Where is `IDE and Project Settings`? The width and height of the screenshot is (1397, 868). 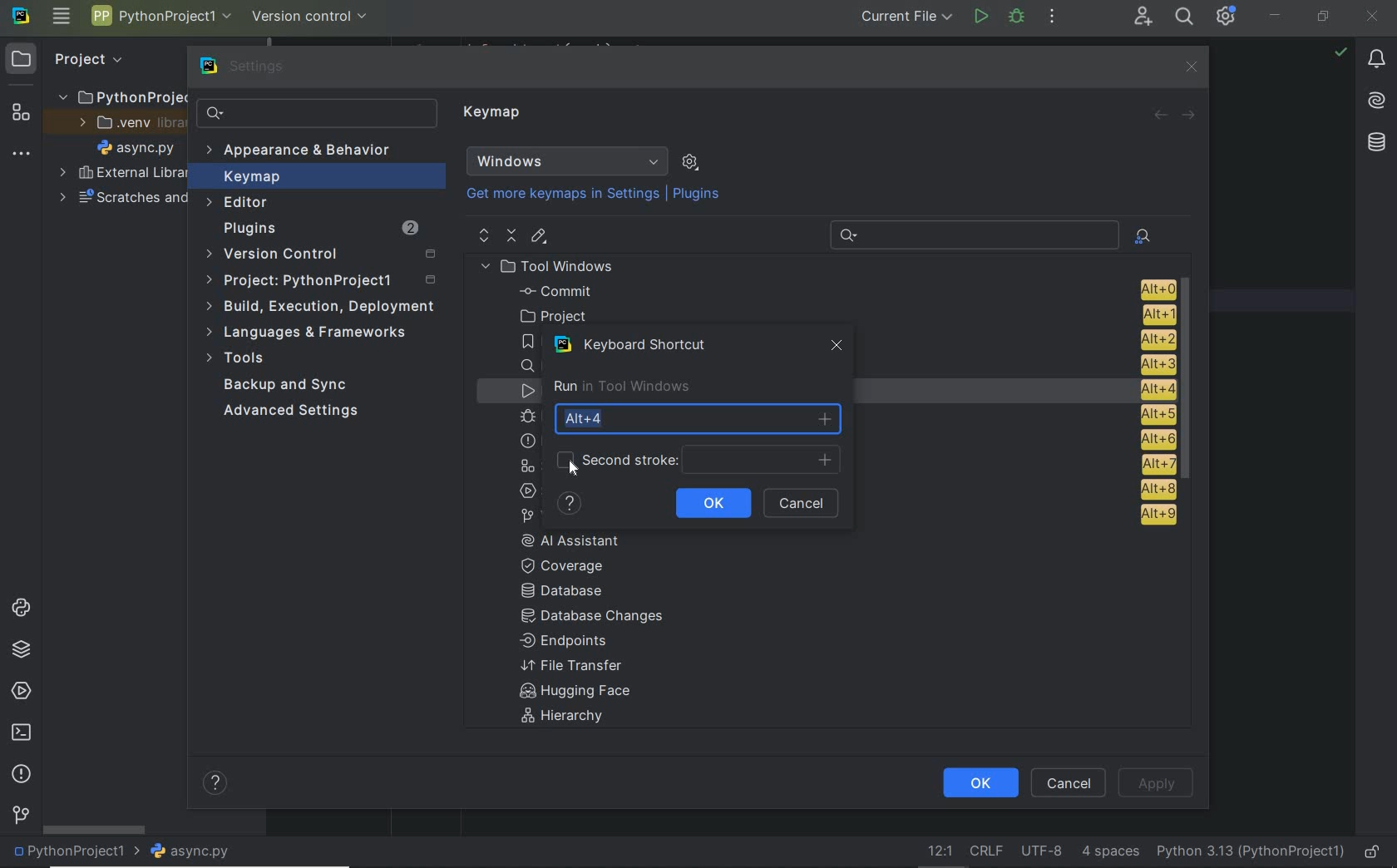
IDE and Project Settings is located at coordinates (1227, 17).